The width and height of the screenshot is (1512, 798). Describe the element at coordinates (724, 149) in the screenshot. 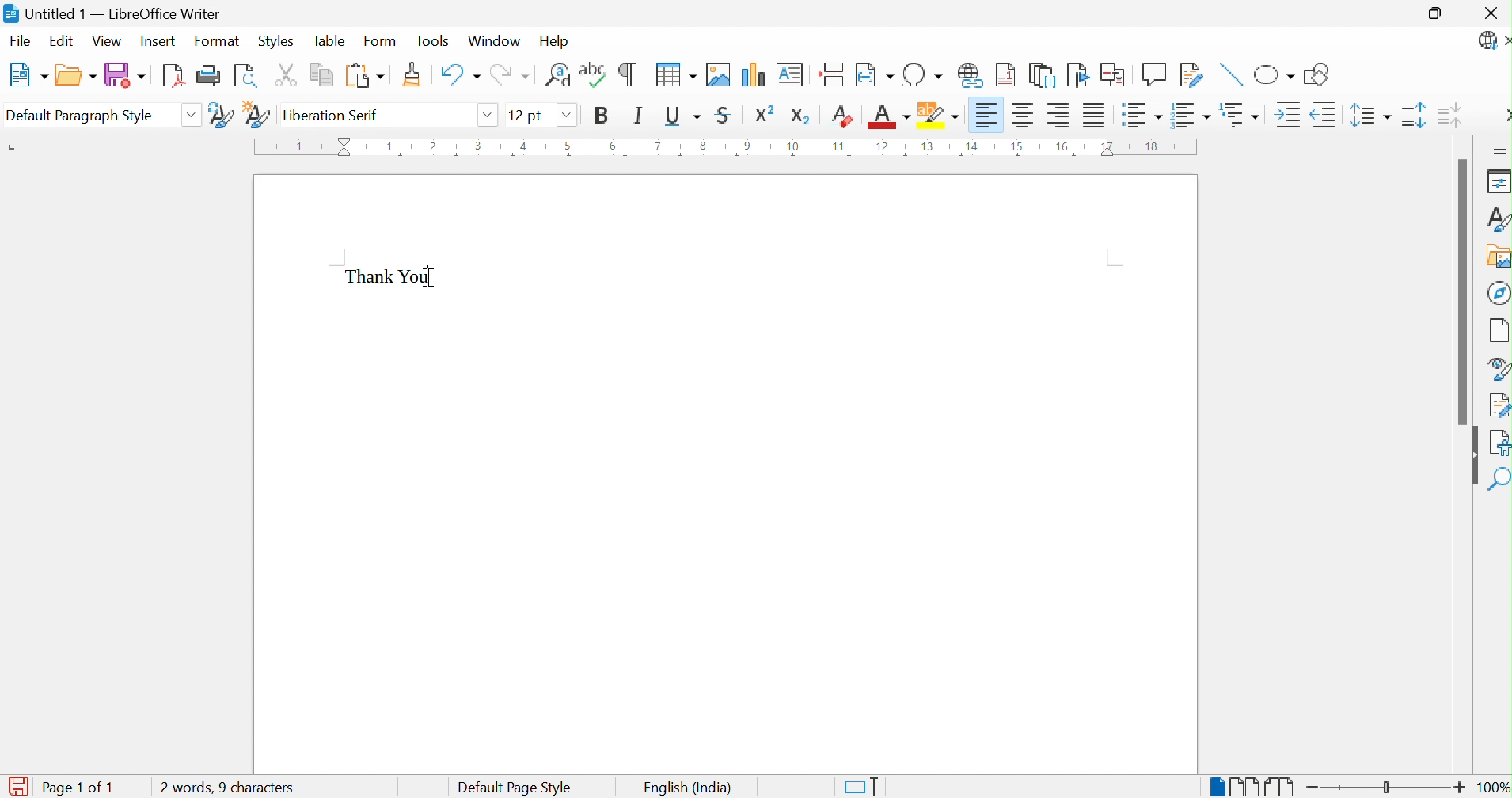

I see `Ruler` at that location.